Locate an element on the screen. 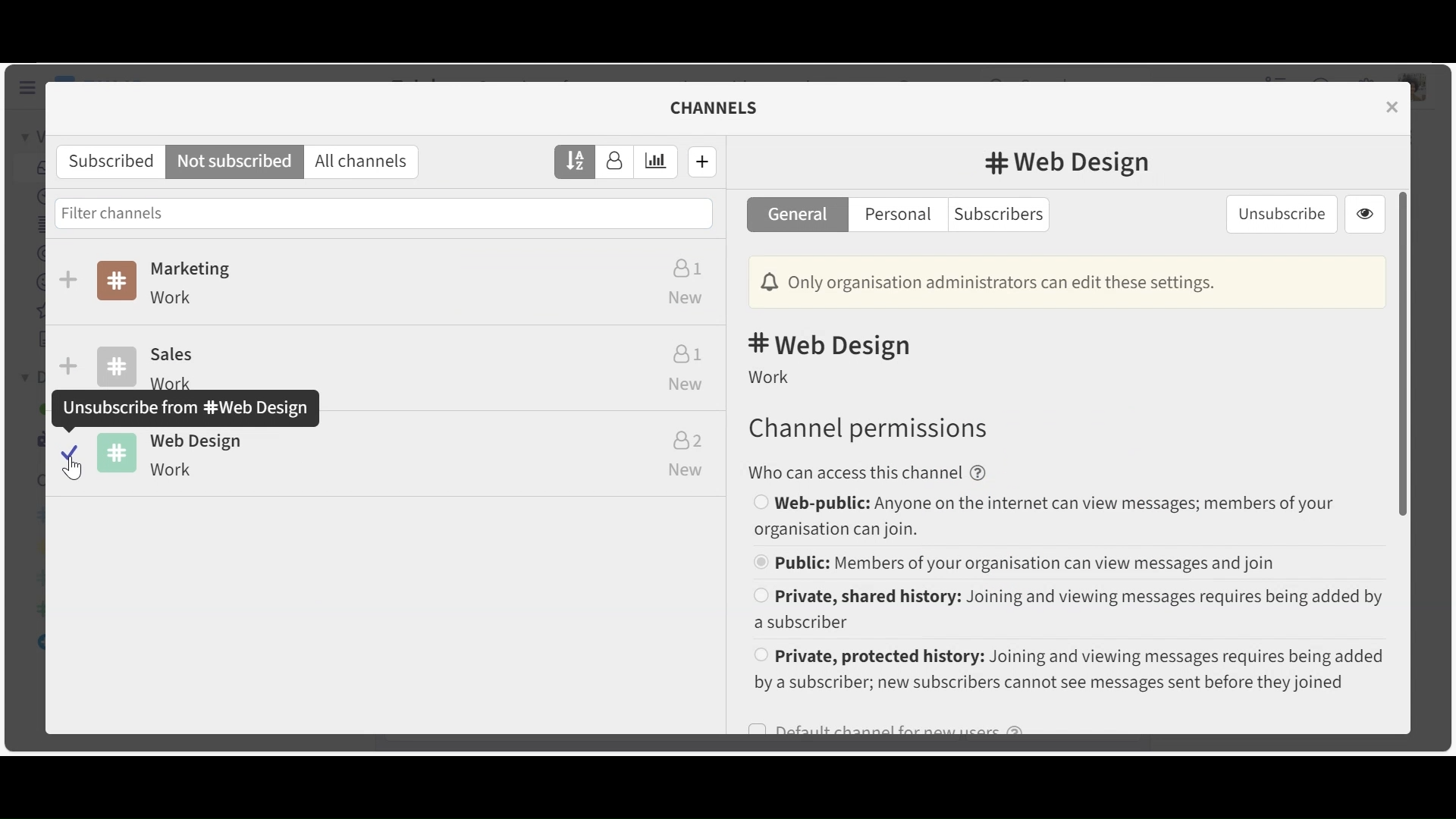  Channels is located at coordinates (717, 106).